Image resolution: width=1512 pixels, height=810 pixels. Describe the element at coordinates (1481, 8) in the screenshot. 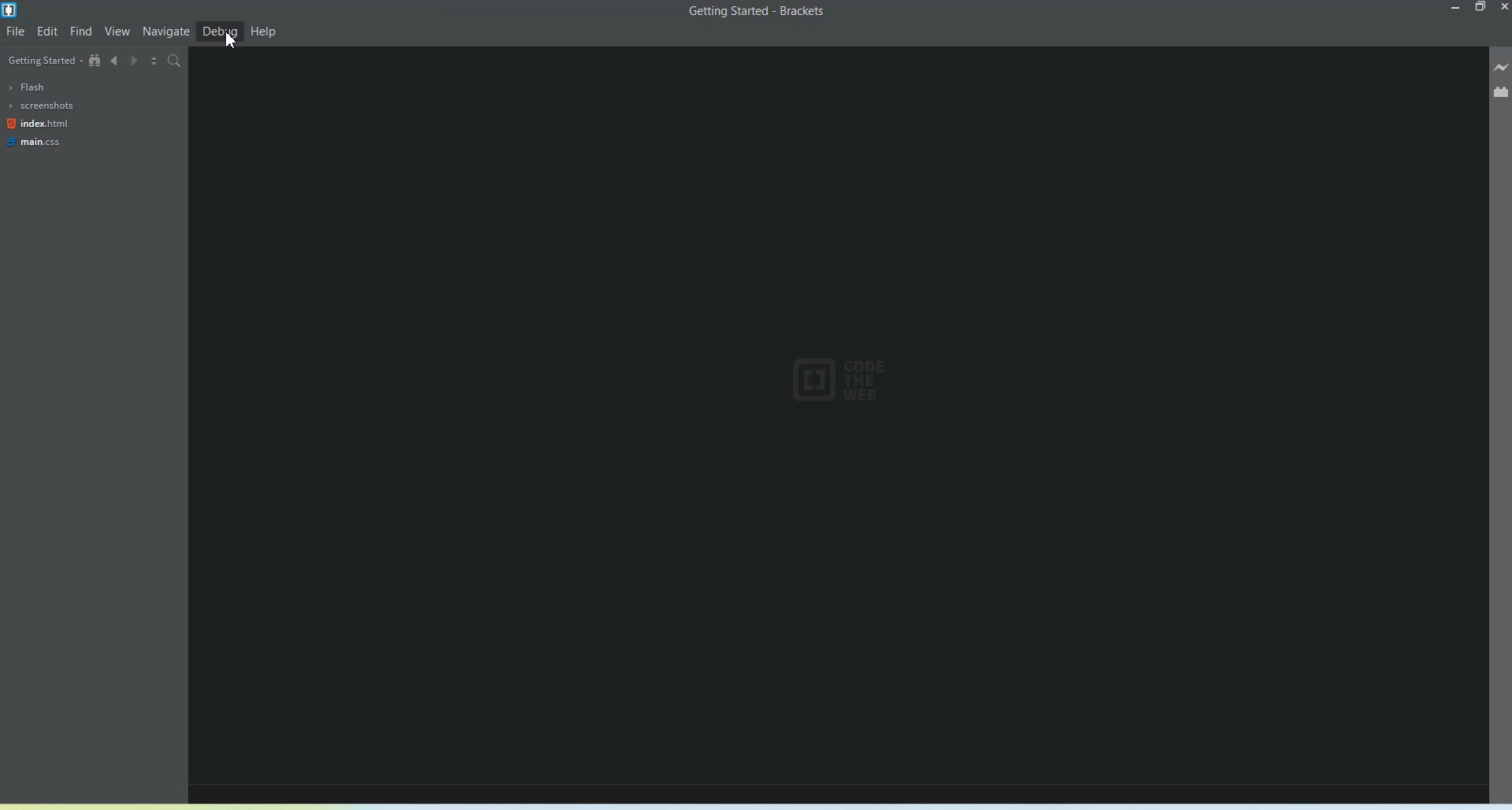

I see `Maximize` at that location.